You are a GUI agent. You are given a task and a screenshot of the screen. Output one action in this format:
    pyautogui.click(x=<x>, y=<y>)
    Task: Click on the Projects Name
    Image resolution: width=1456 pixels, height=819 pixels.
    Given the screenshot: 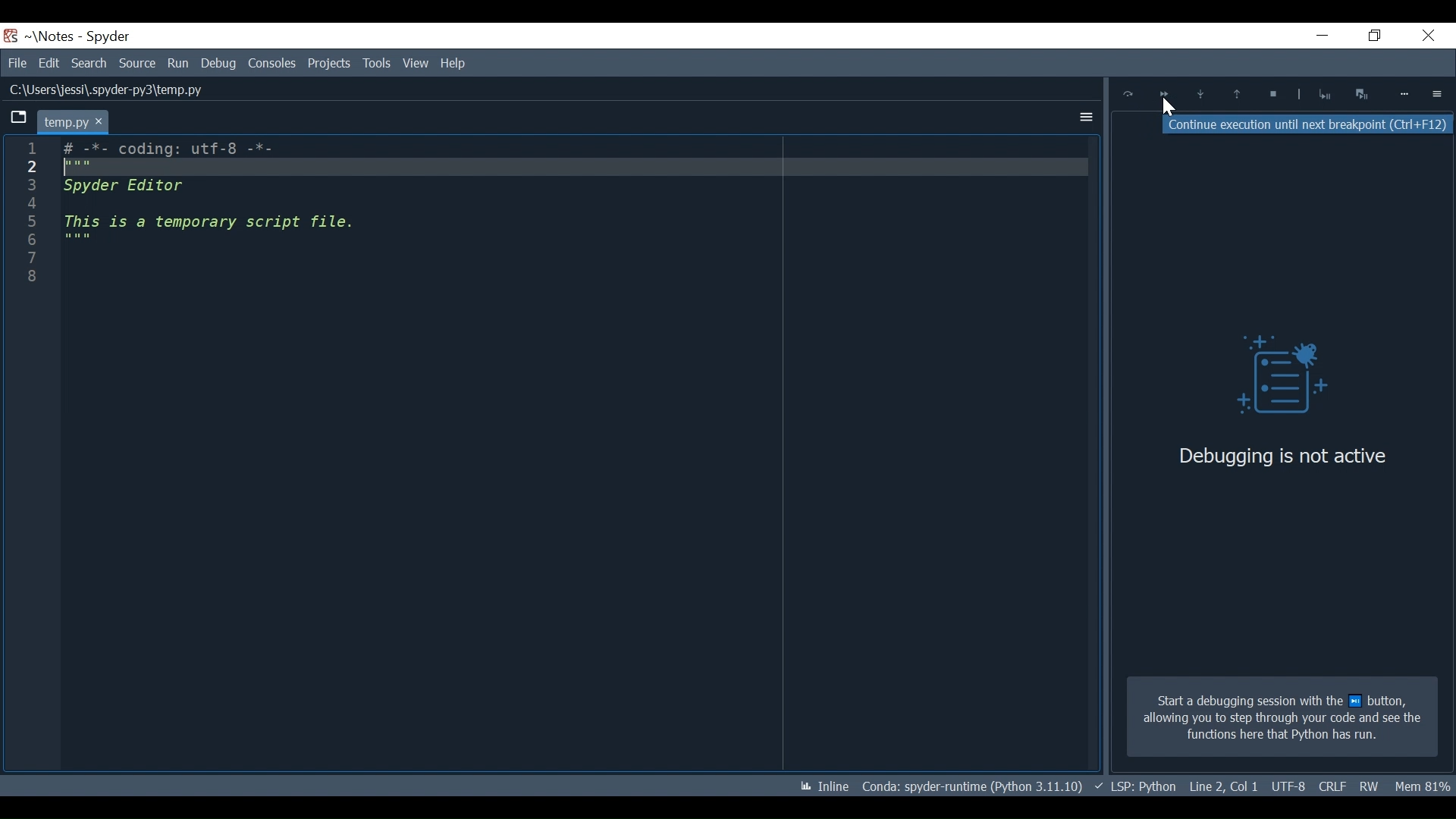 What is the action you would take?
    pyautogui.click(x=55, y=36)
    